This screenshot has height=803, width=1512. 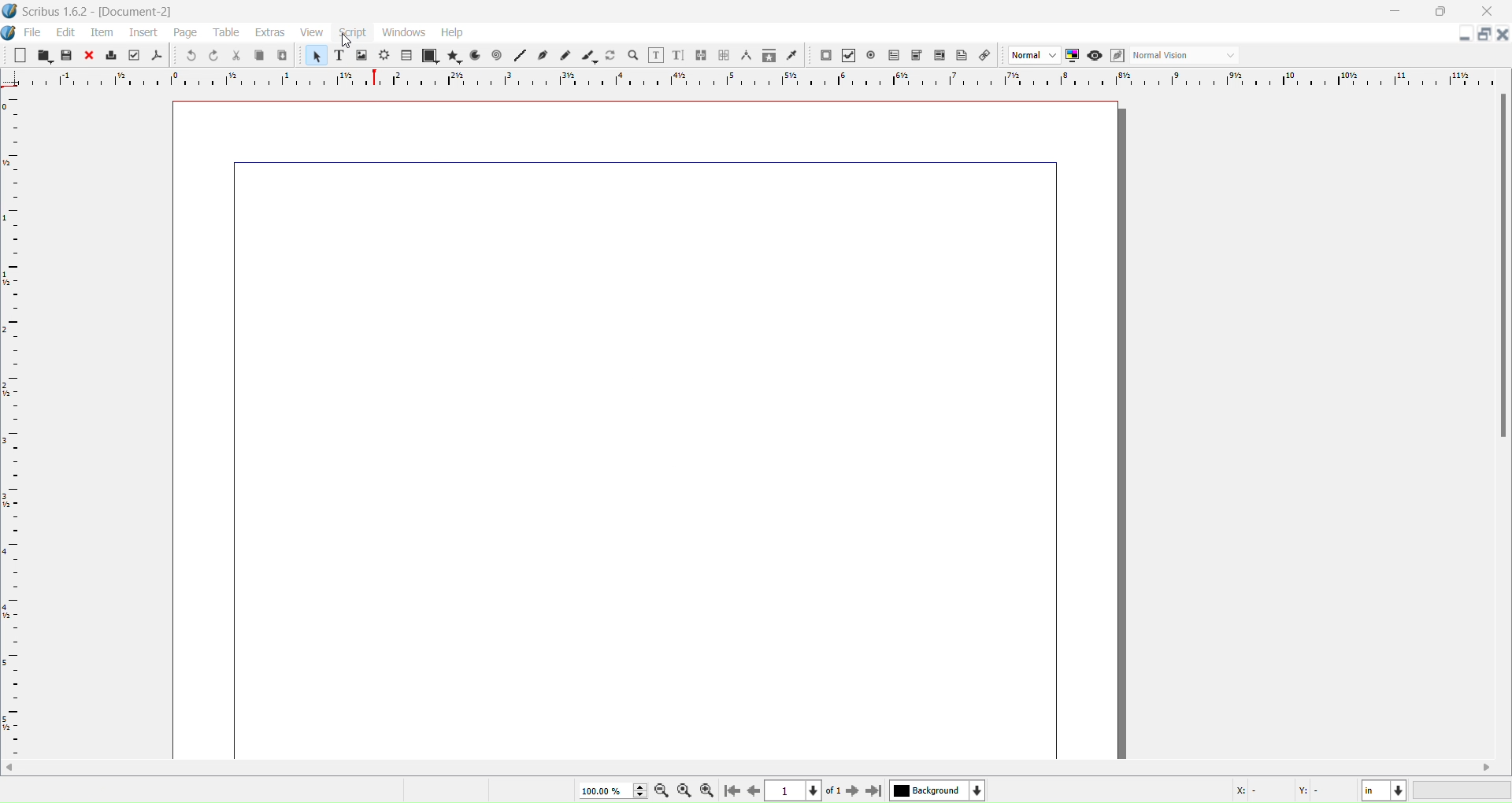 I want to click on More Options, so click(x=9, y=34).